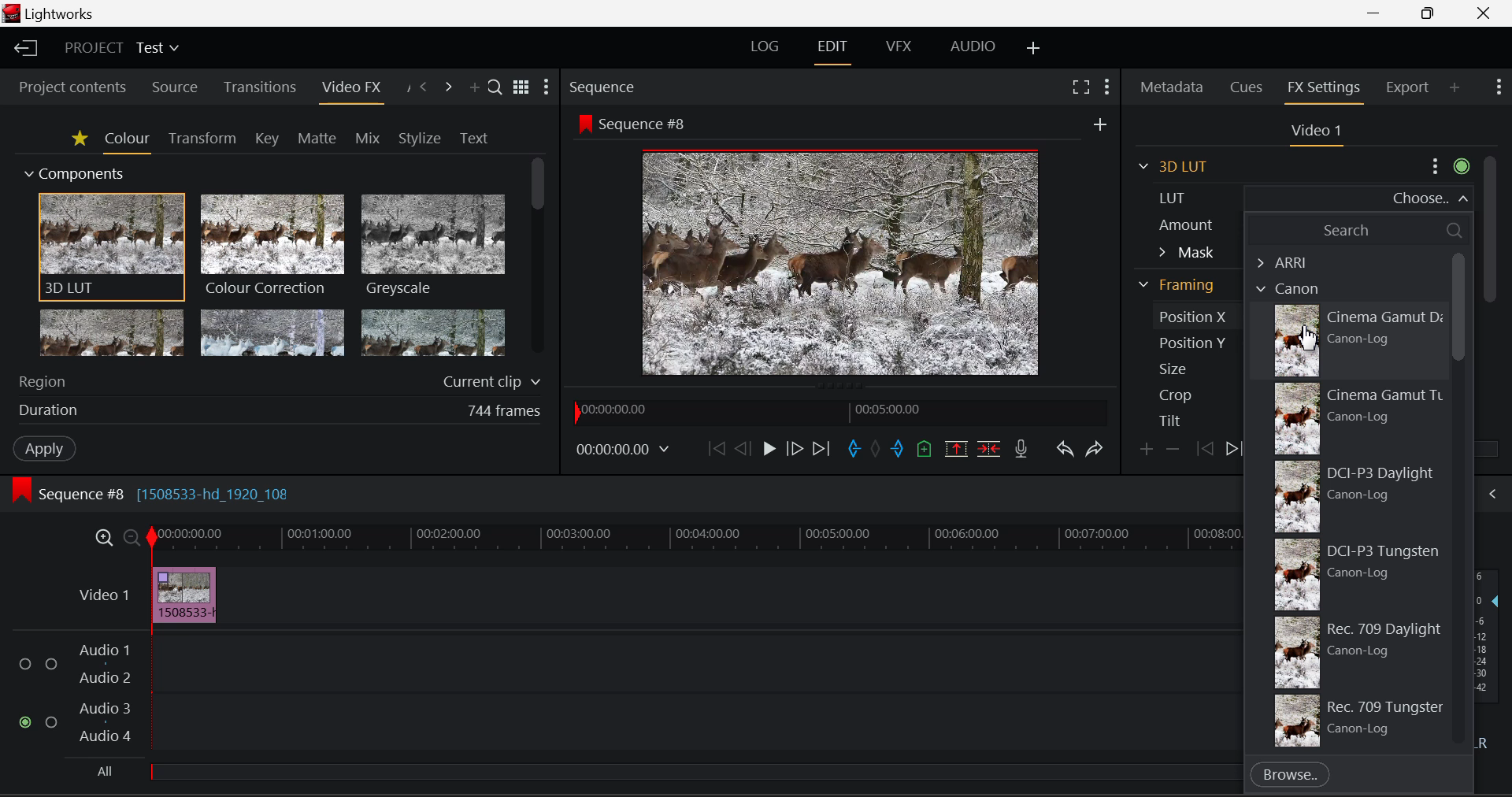  I want to click on Cursor on Cinema Gamut Daylight, so click(1346, 340).